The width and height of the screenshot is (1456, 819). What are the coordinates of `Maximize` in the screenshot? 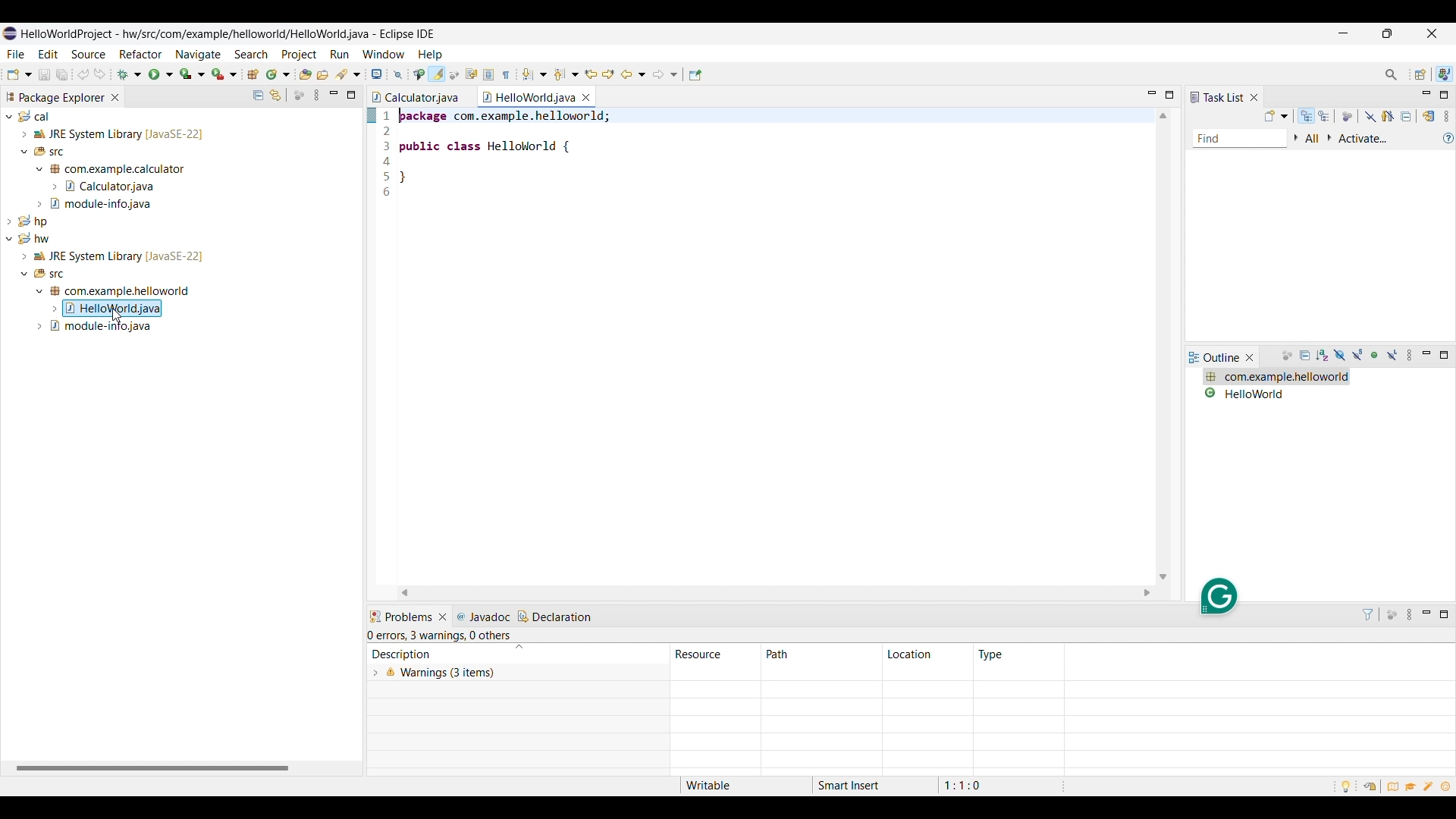 It's located at (1444, 615).